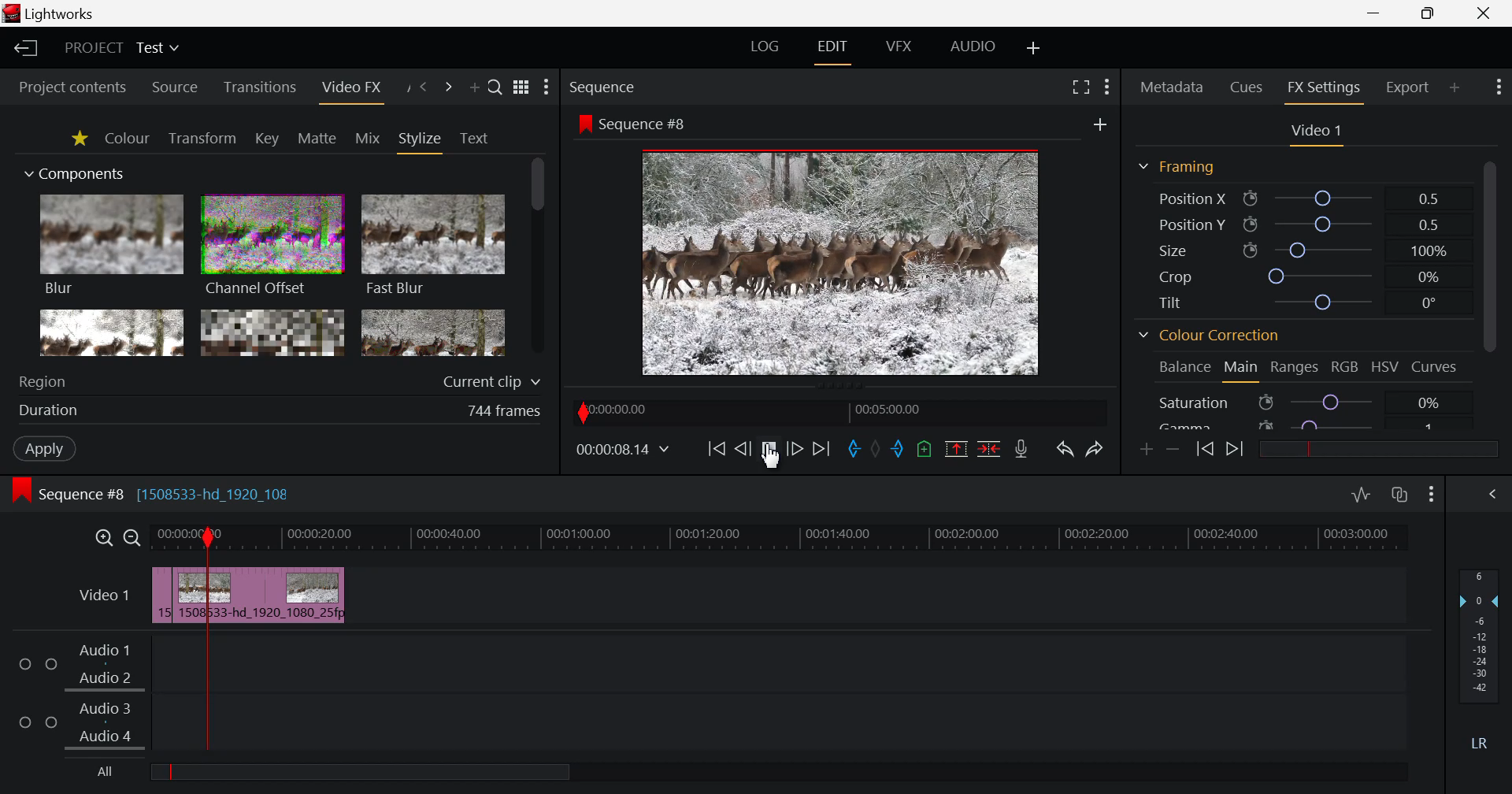  I want to click on Cursor on Play, so click(769, 449).